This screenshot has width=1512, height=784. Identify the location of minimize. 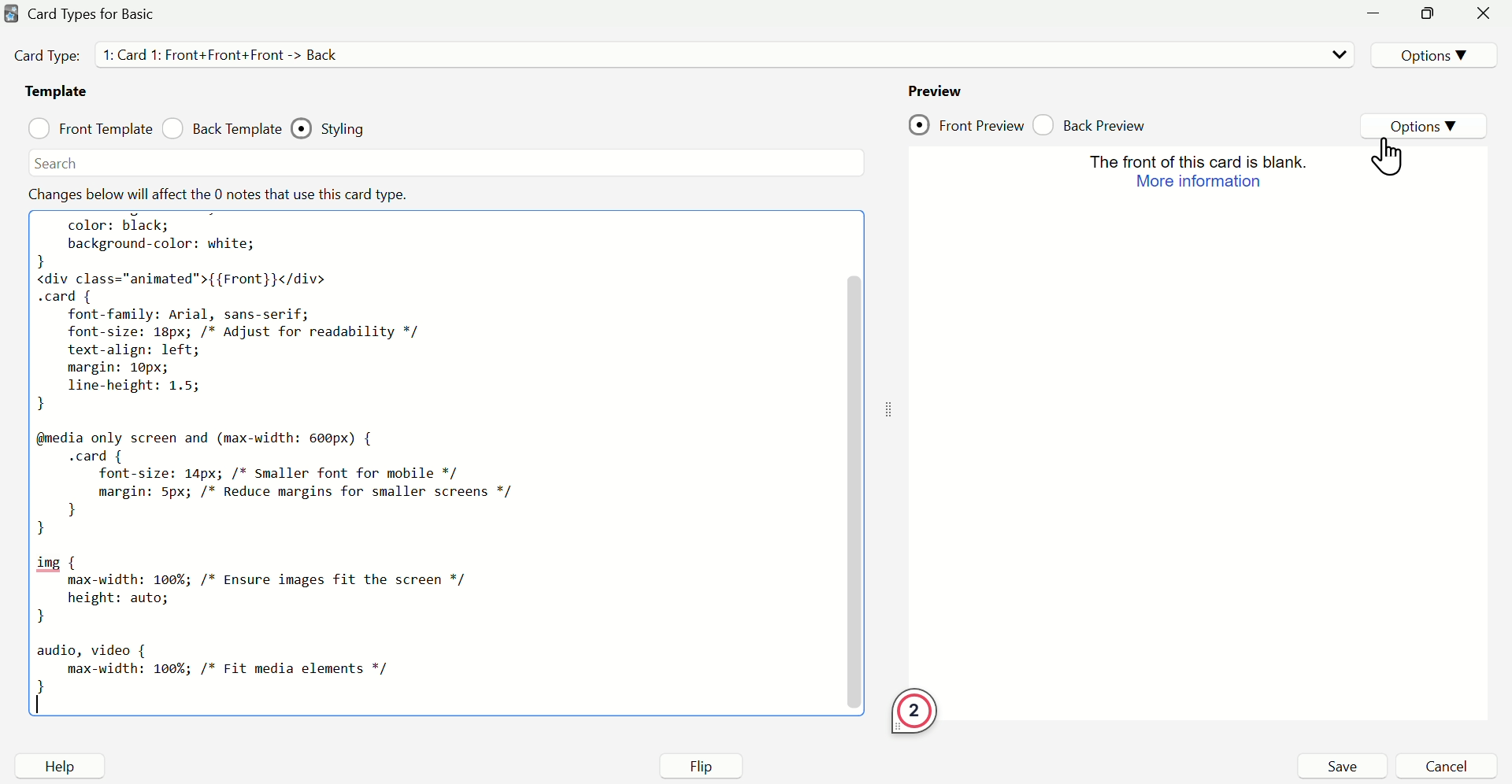
(1428, 15).